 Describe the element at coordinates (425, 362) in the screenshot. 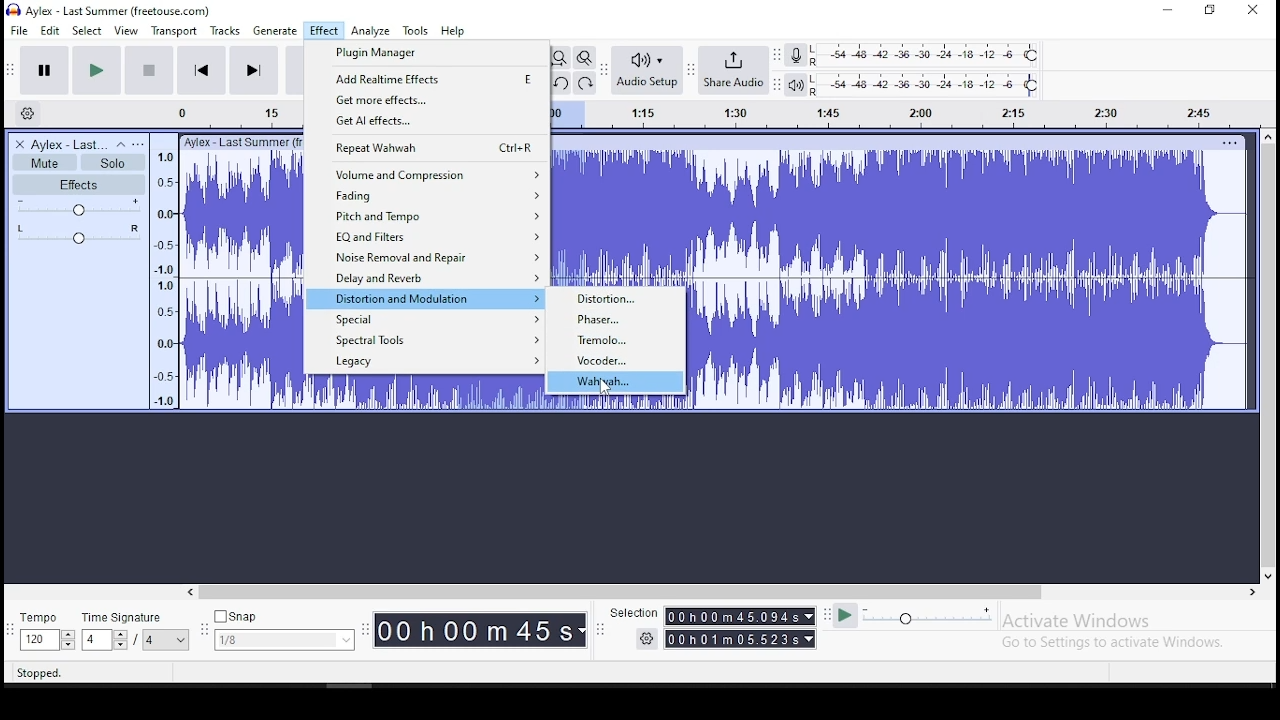

I see `legacy` at that location.